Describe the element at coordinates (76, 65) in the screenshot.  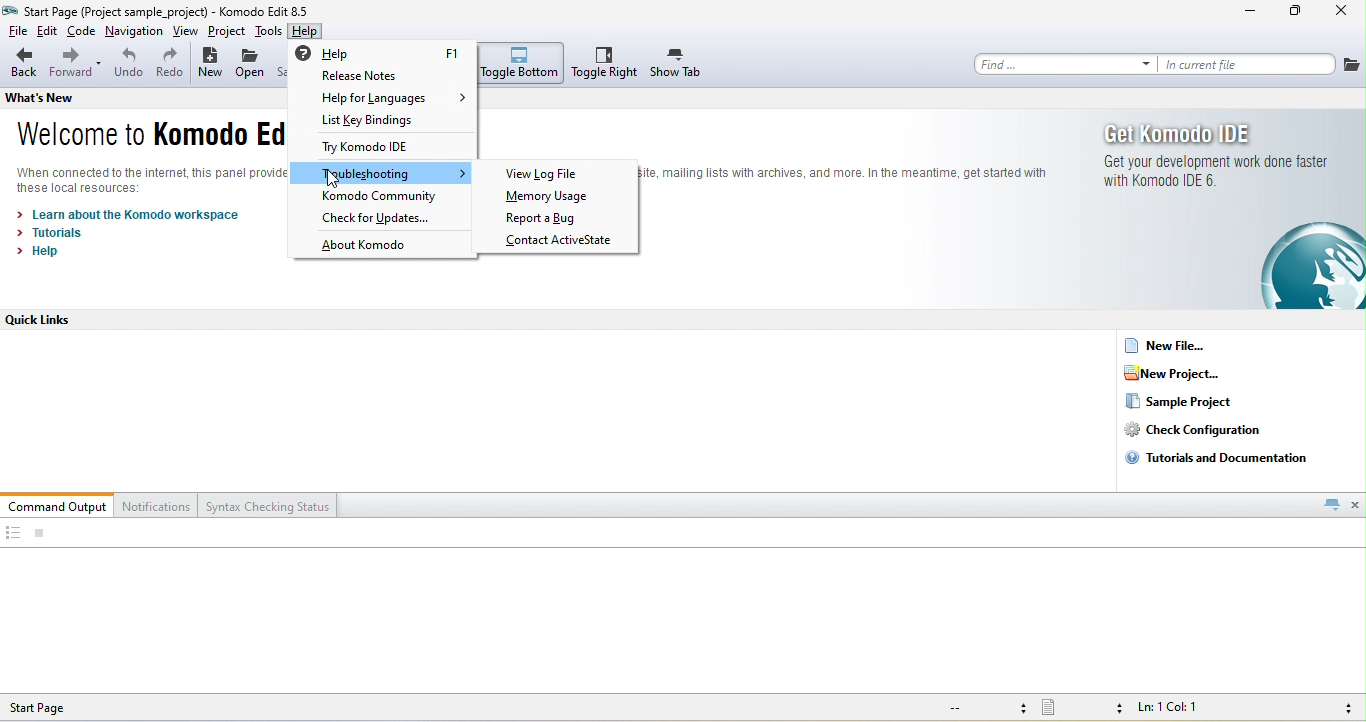
I see `forward` at that location.